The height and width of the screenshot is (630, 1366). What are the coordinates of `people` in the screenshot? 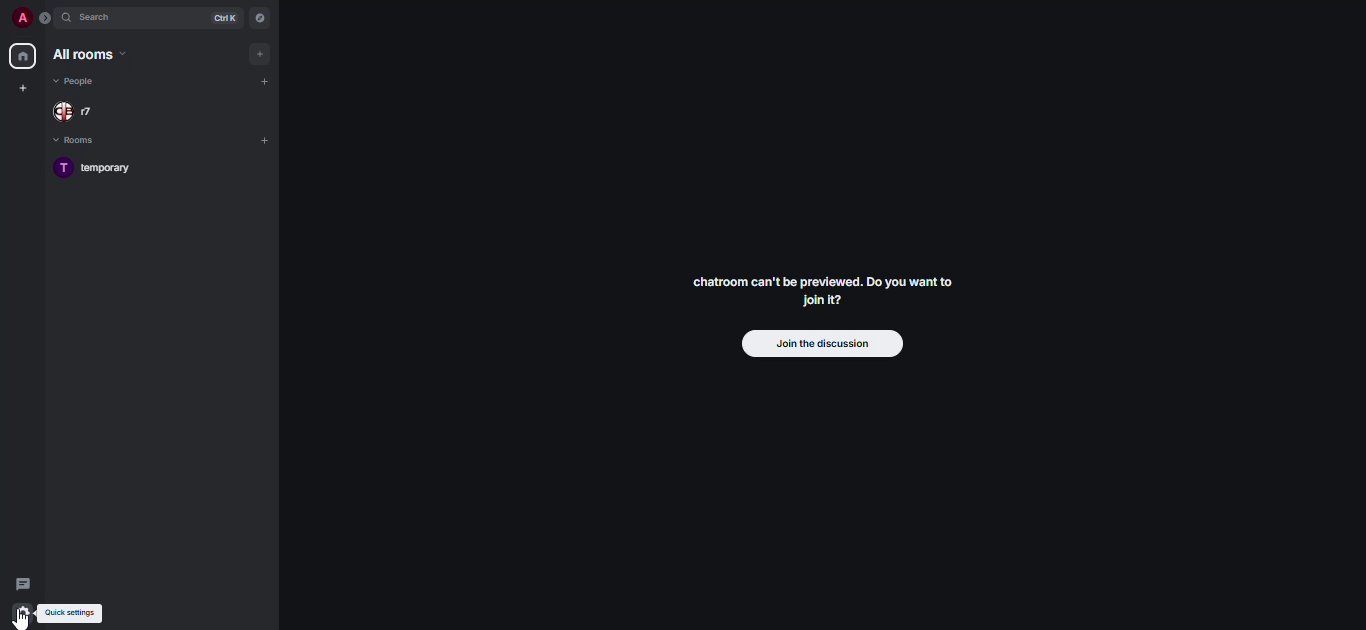 It's located at (77, 81).